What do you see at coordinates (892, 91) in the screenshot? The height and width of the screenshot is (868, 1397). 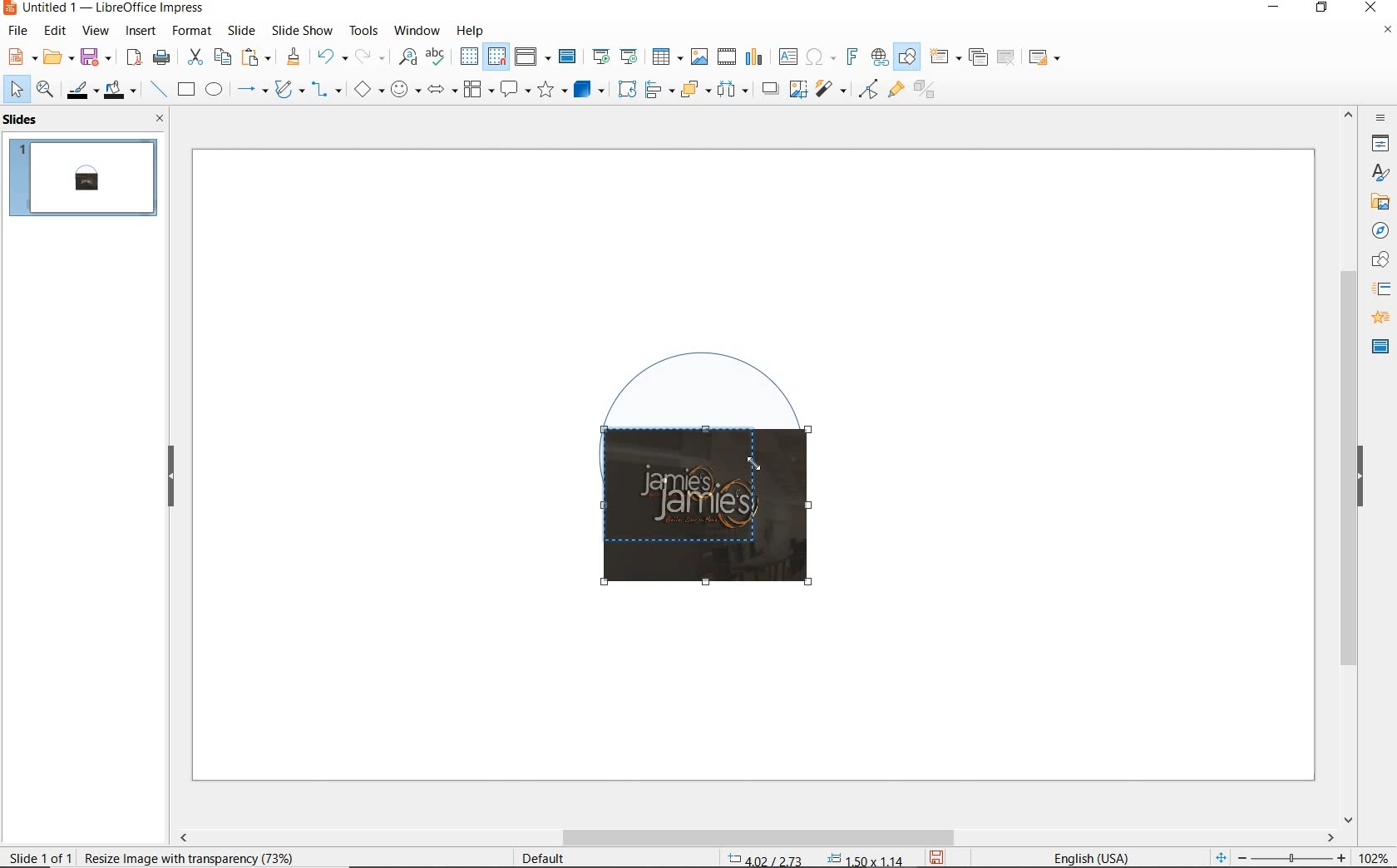 I see `show gluepoint functions` at bounding box center [892, 91].